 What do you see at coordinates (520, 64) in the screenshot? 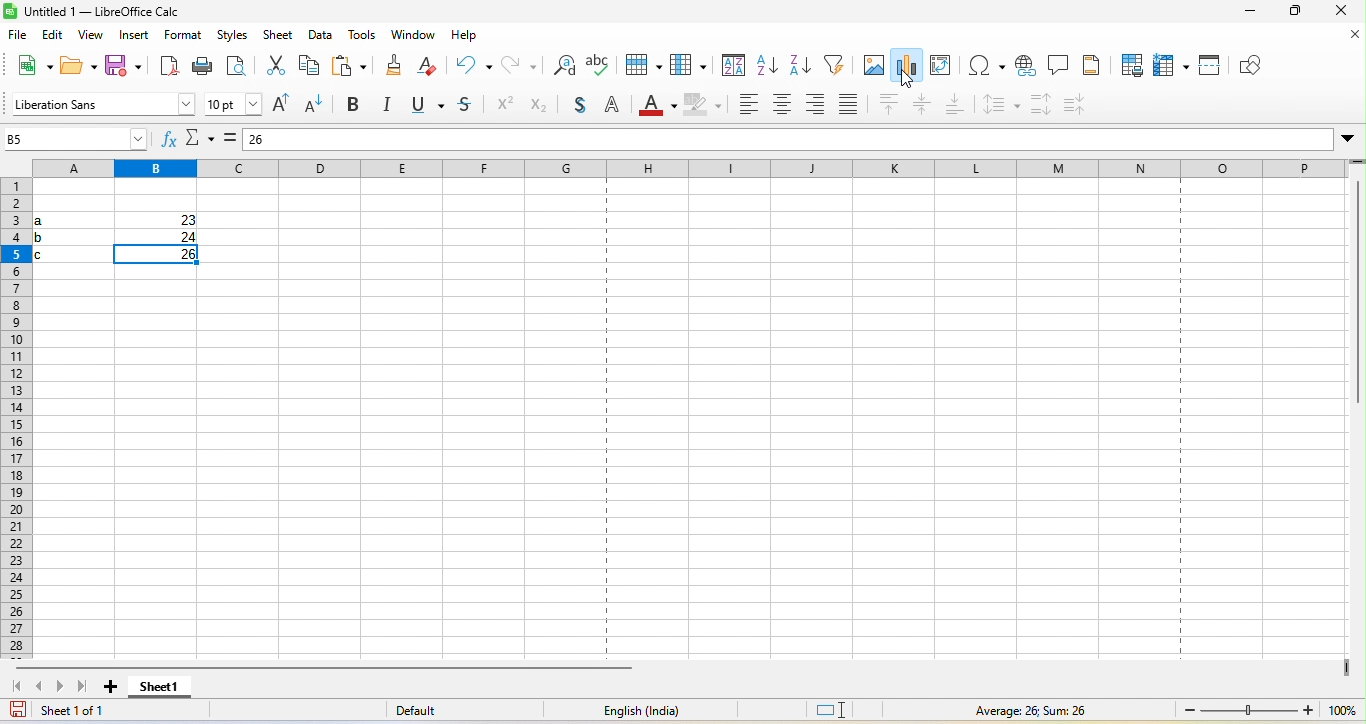
I see `redo` at bounding box center [520, 64].